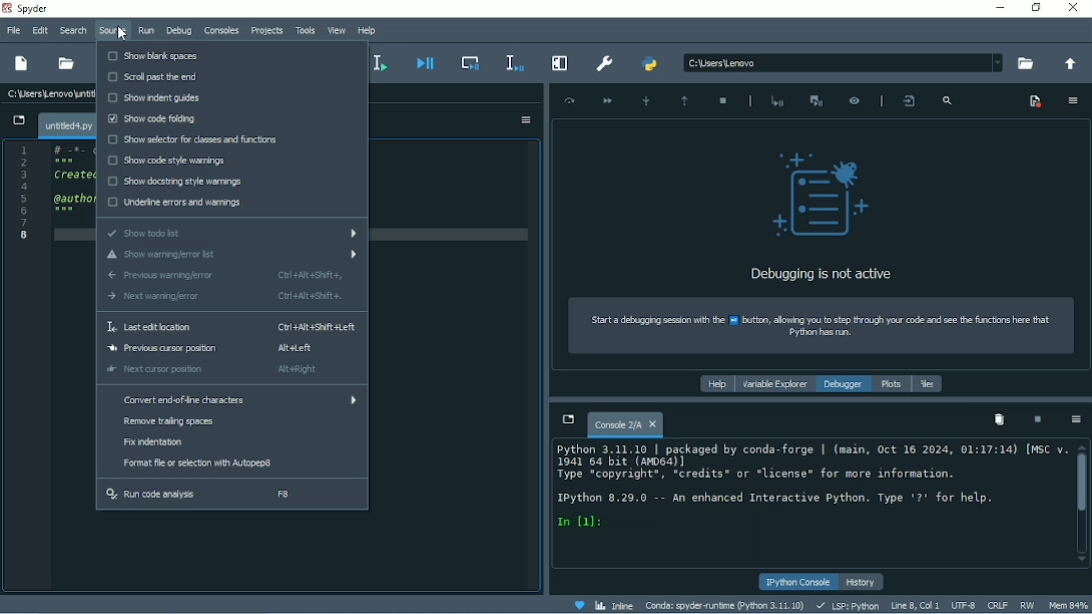 The image size is (1092, 614). I want to click on Show breakpoints, so click(1036, 102).